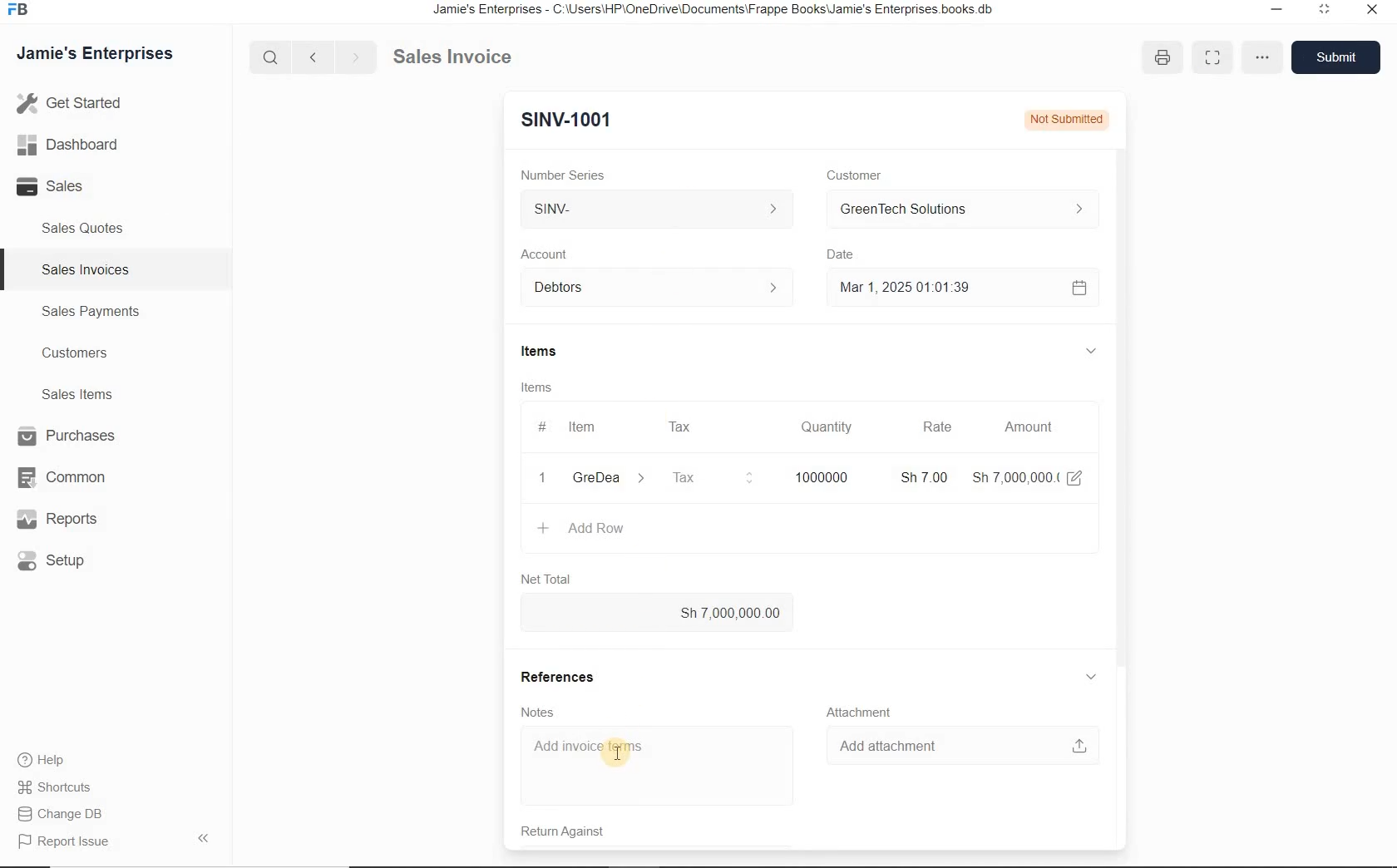 Image resolution: width=1397 pixels, height=868 pixels. What do you see at coordinates (955, 210) in the screenshot?
I see `GreenTech Solutions` at bounding box center [955, 210].